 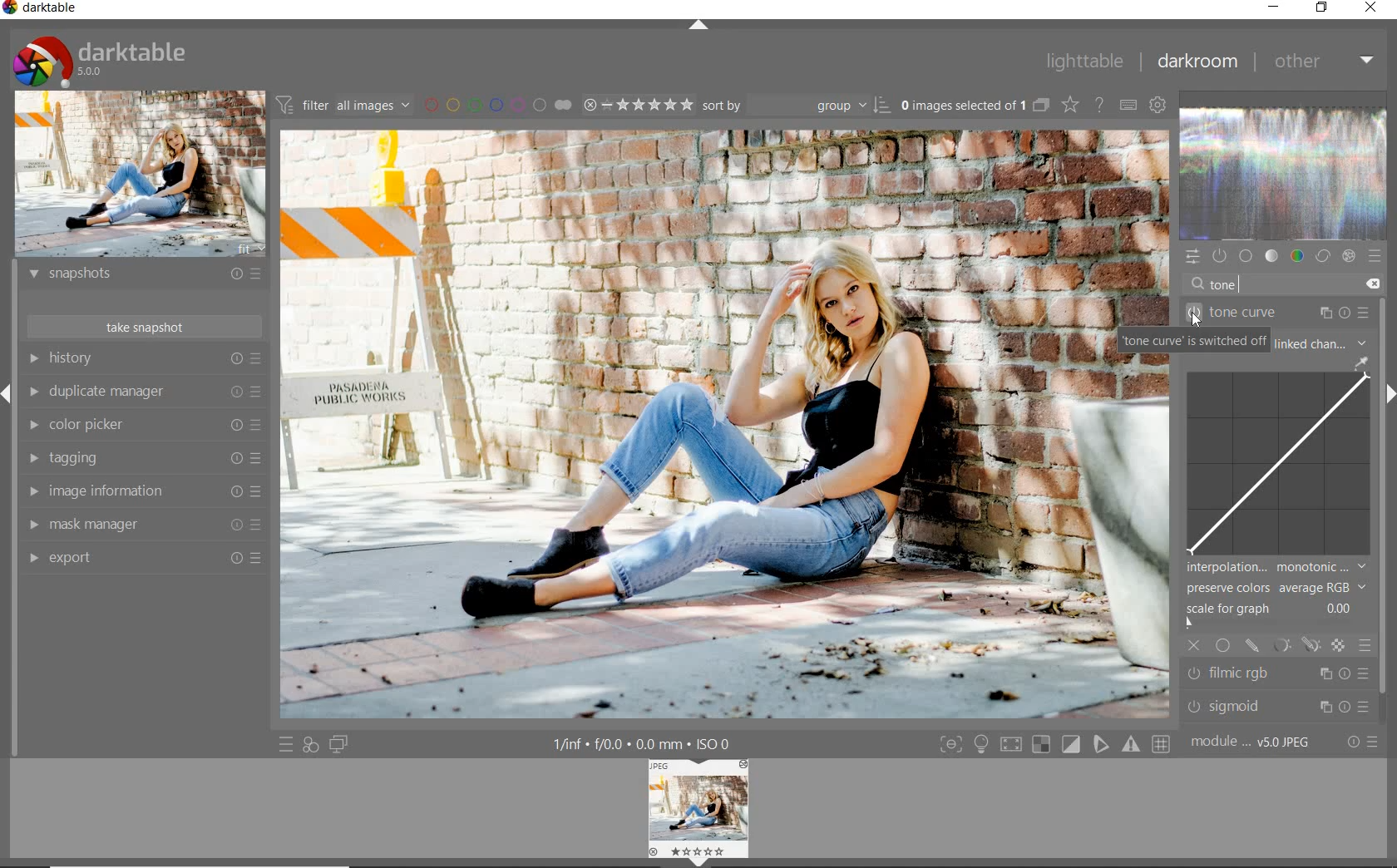 What do you see at coordinates (1247, 256) in the screenshot?
I see `base` at bounding box center [1247, 256].